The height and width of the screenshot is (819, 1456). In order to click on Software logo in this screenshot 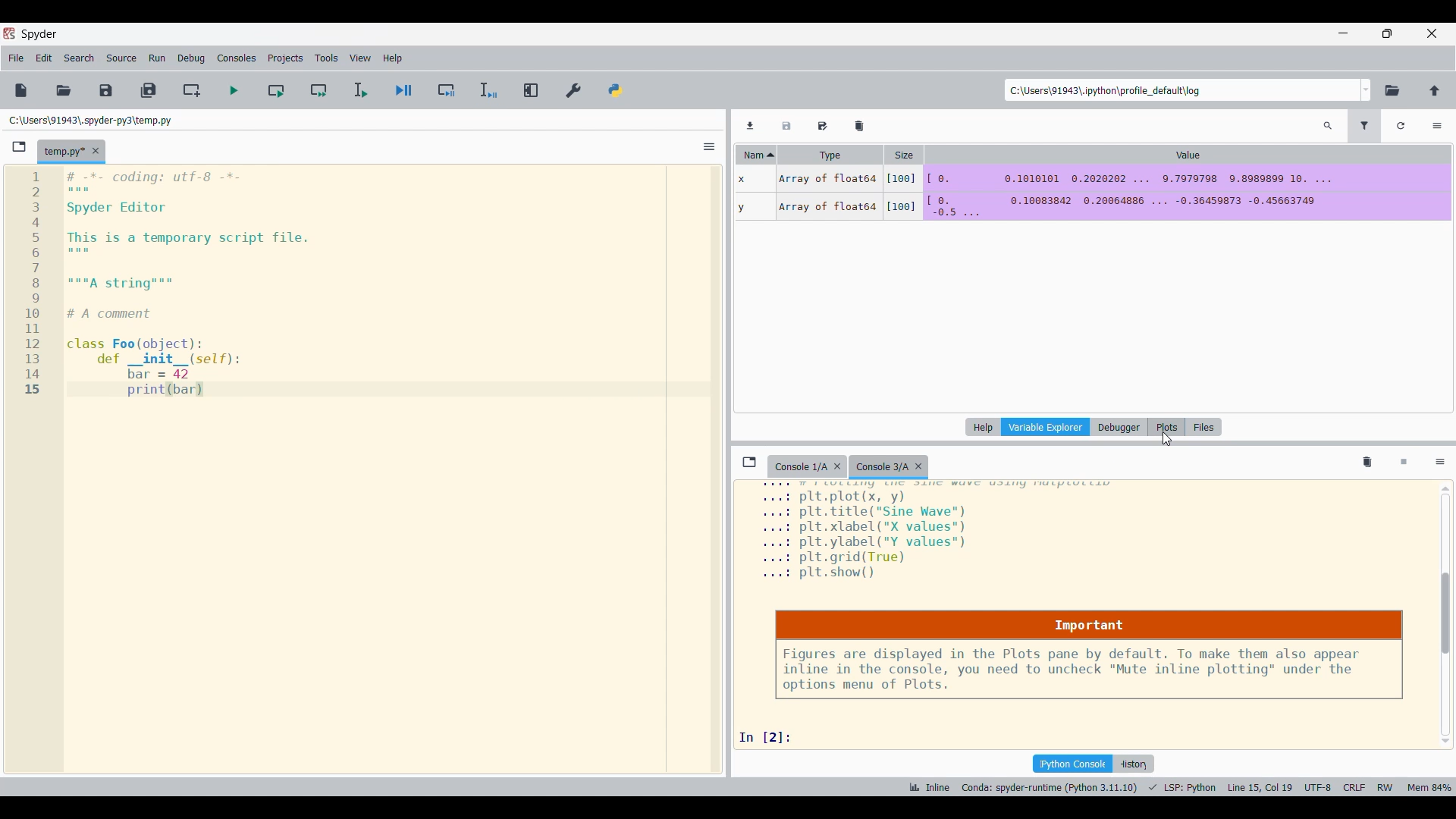, I will do `click(9, 33)`.